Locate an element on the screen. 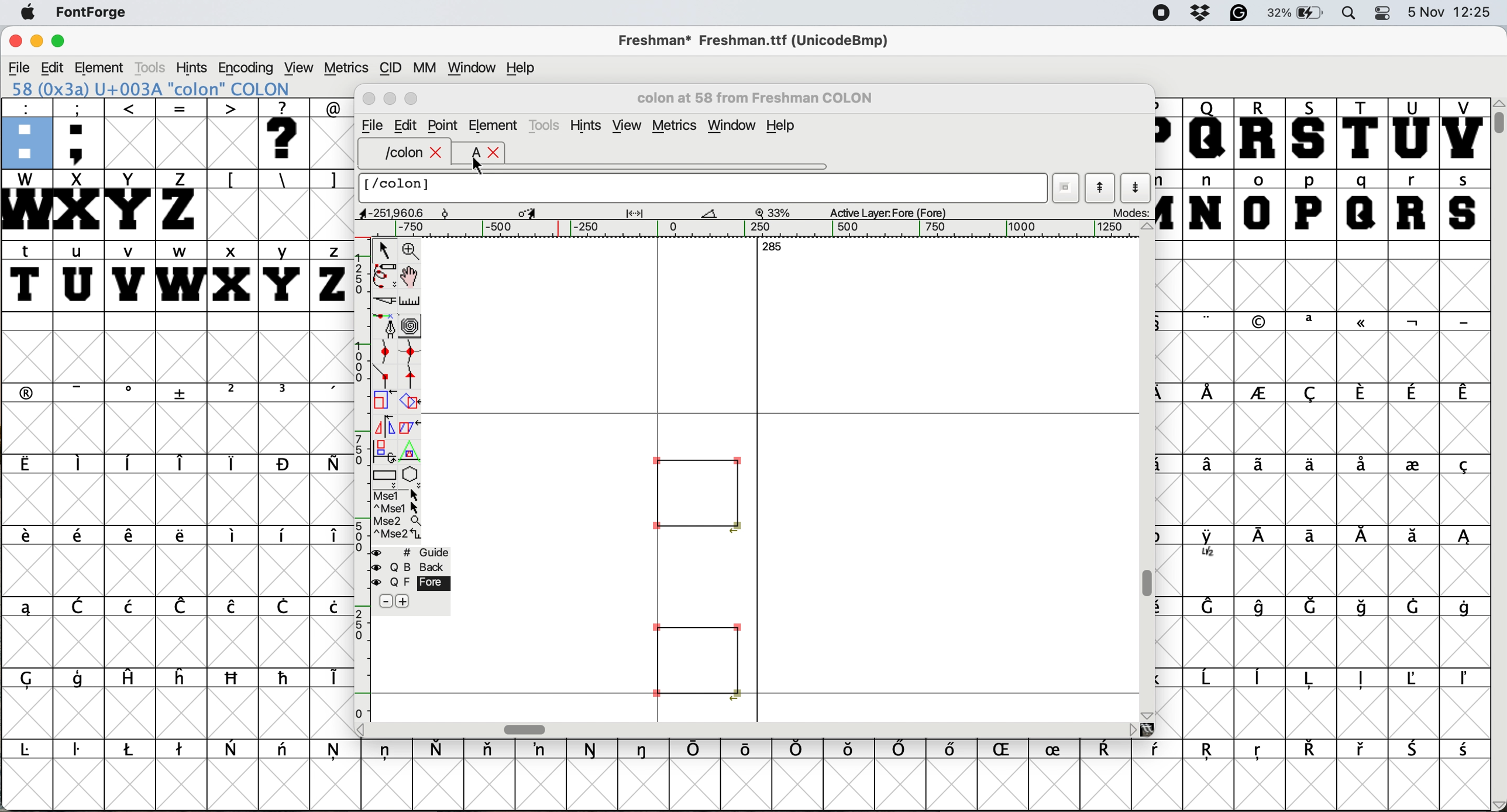  P is located at coordinates (1167, 133).